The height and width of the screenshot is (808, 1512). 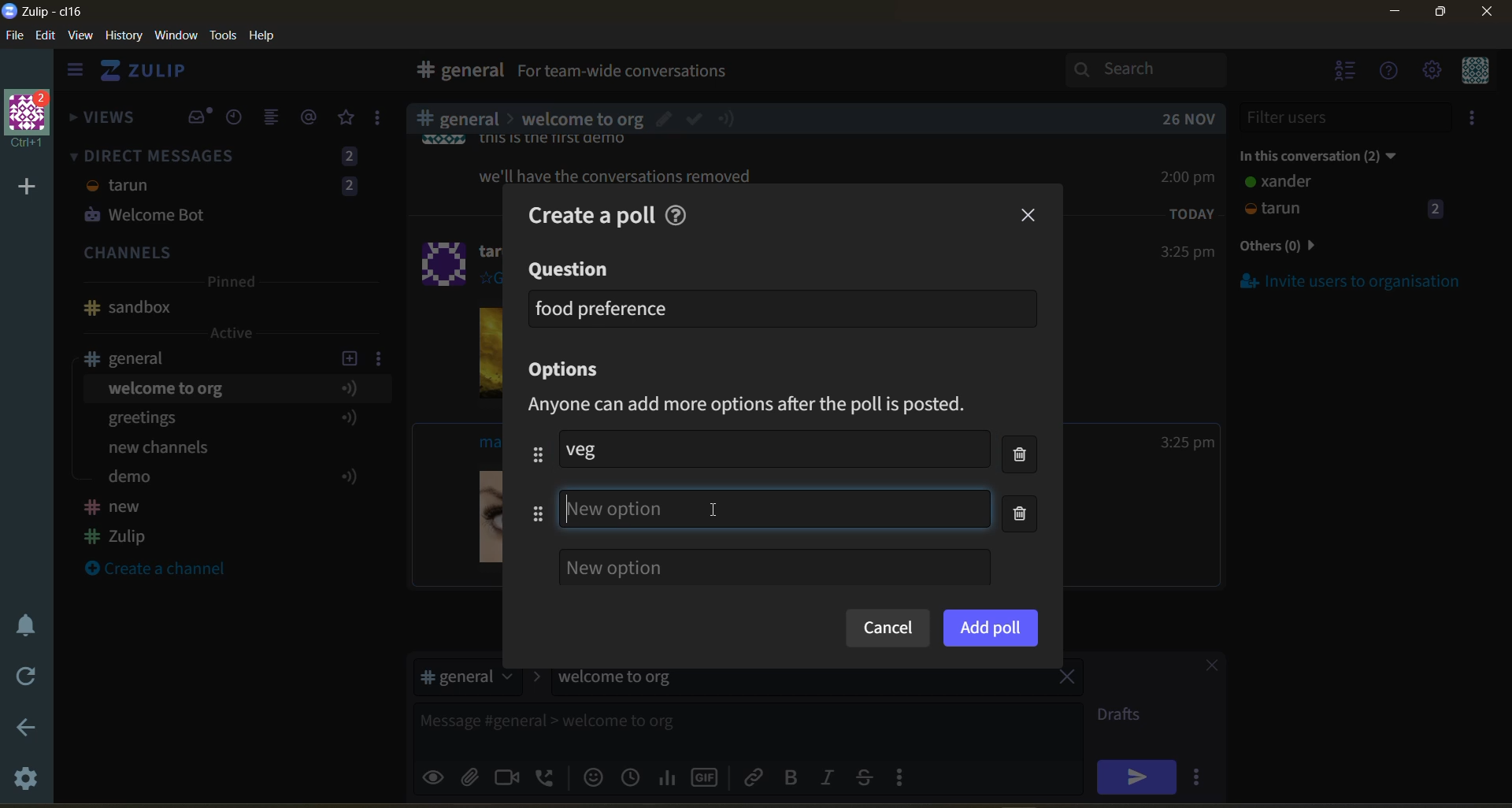 I want to click on metadata, so click(x=762, y=406).